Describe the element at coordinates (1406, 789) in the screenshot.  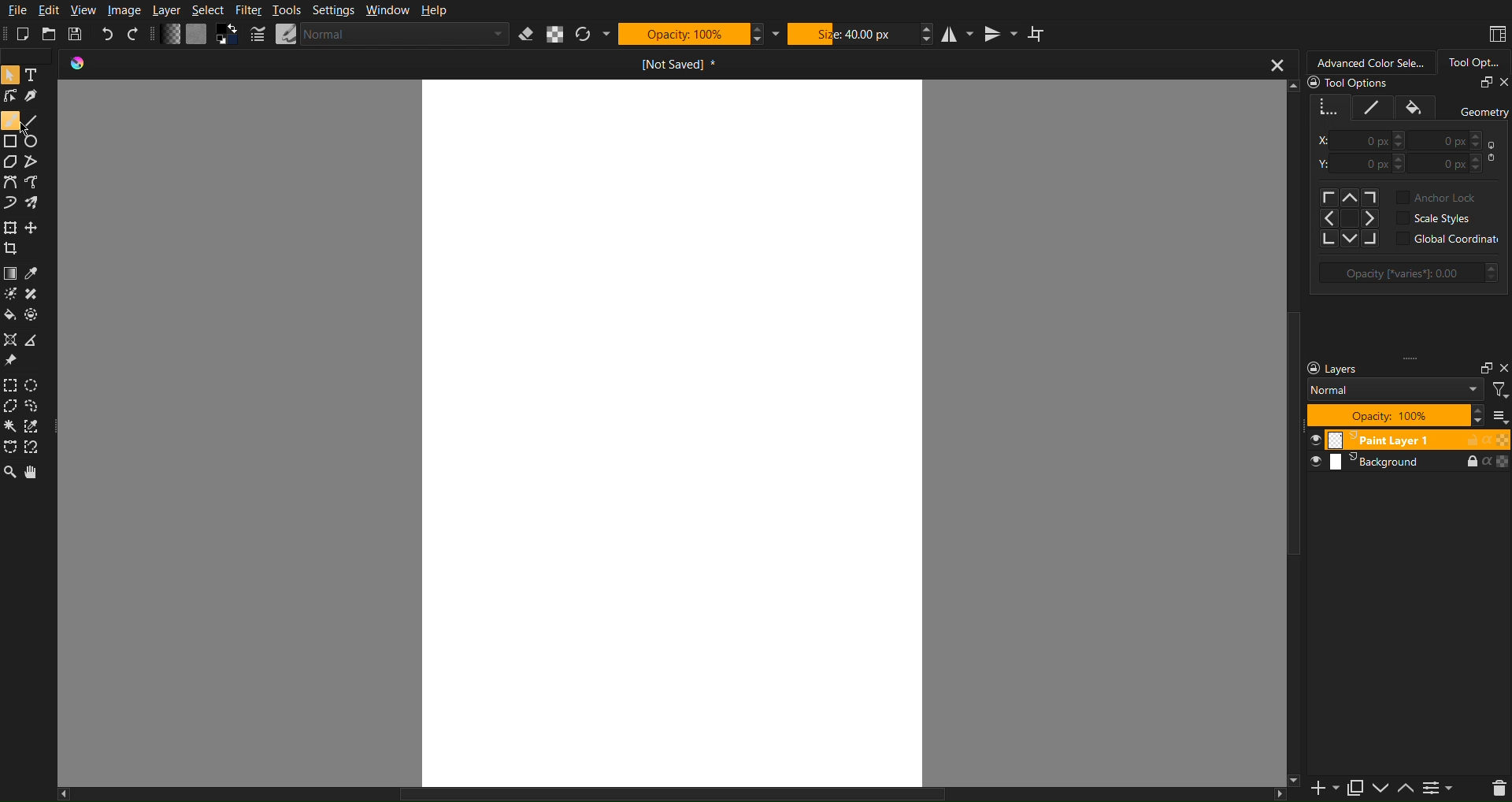
I see `Up` at that location.